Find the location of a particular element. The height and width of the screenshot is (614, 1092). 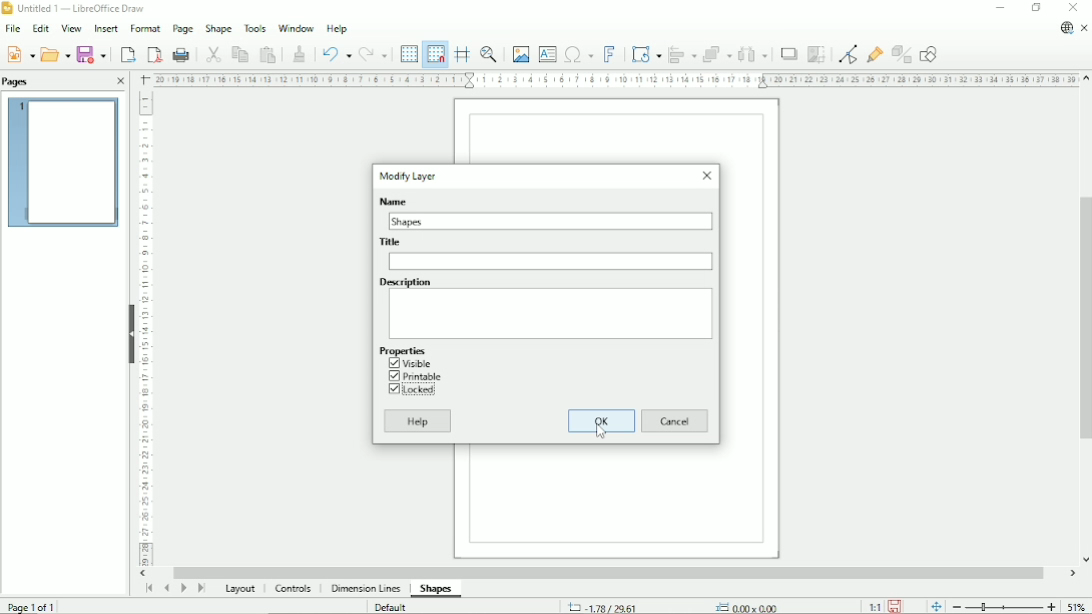

Open  is located at coordinates (55, 53).